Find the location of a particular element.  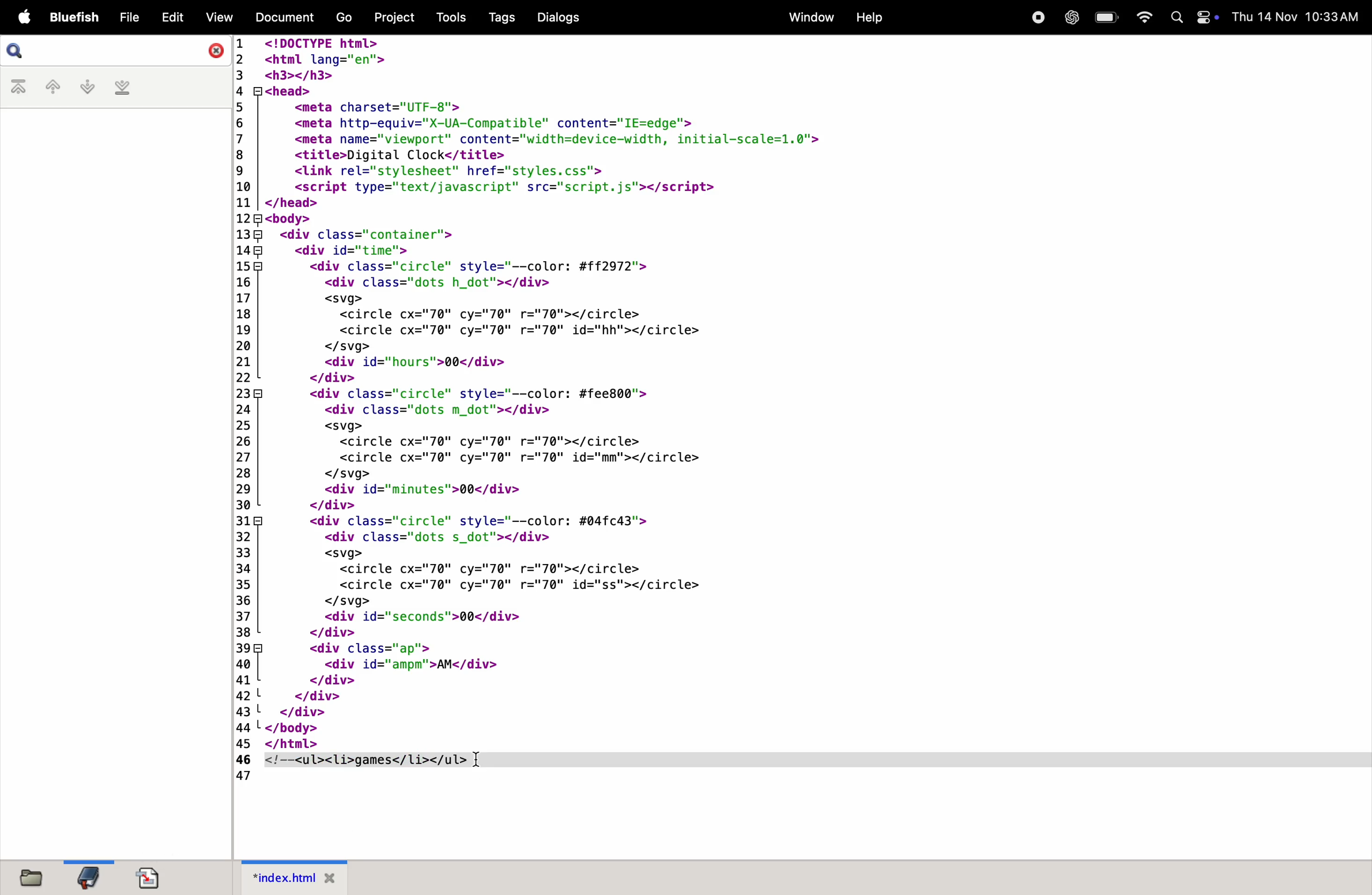

chatgpt is located at coordinates (1071, 18).